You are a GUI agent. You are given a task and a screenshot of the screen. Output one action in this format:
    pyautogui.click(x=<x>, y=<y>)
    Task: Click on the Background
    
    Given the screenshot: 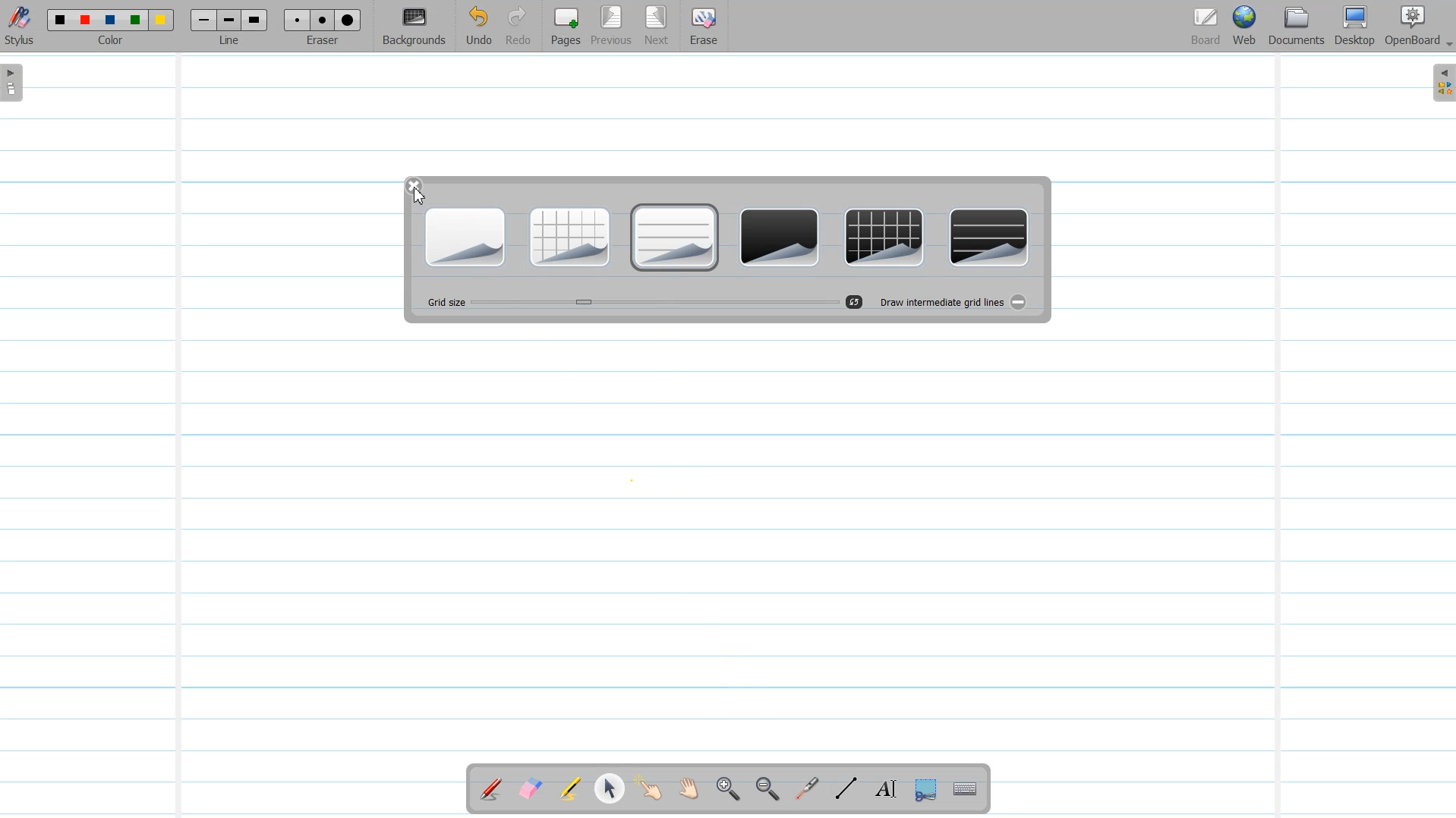 What is the action you would take?
    pyautogui.click(x=415, y=27)
    